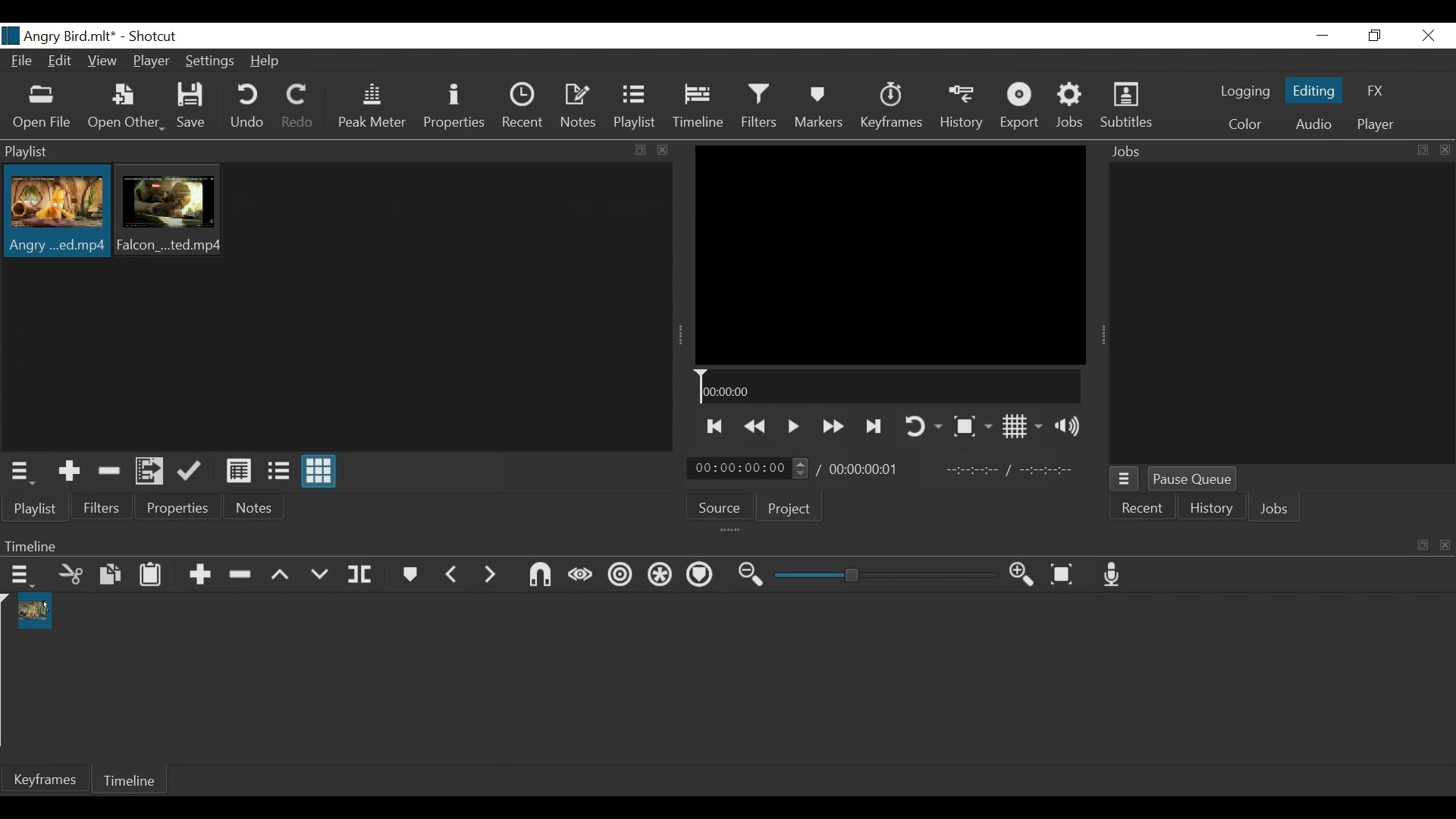  Describe the element at coordinates (1065, 575) in the screenshot. I see `Zoom timeline to fit` at that location.